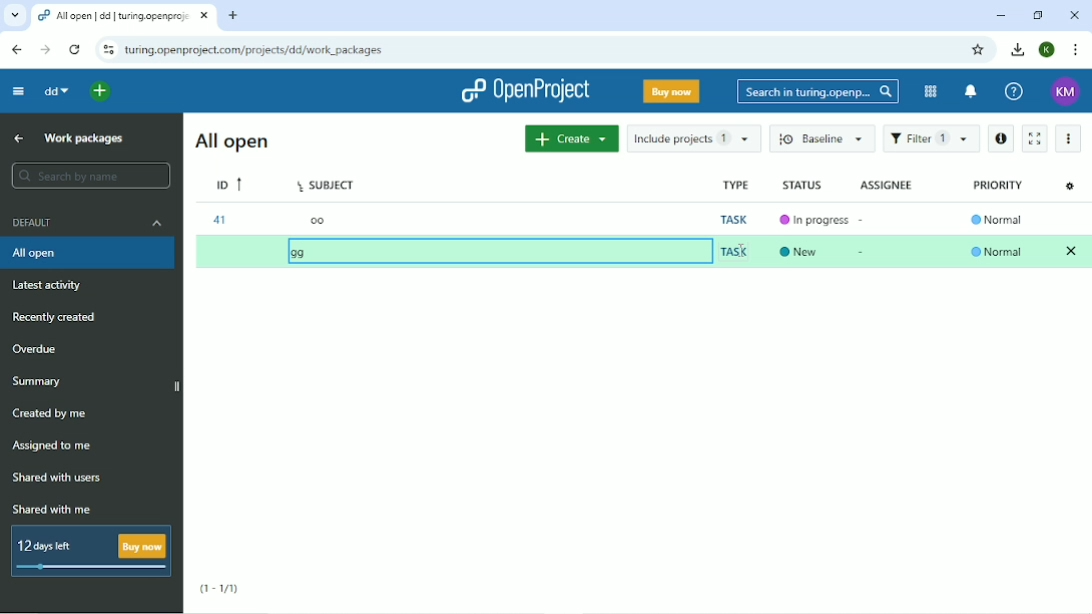 The width and height of the screenshot is (1092, 614). I want to click on Reload this page, so click(76, 49).